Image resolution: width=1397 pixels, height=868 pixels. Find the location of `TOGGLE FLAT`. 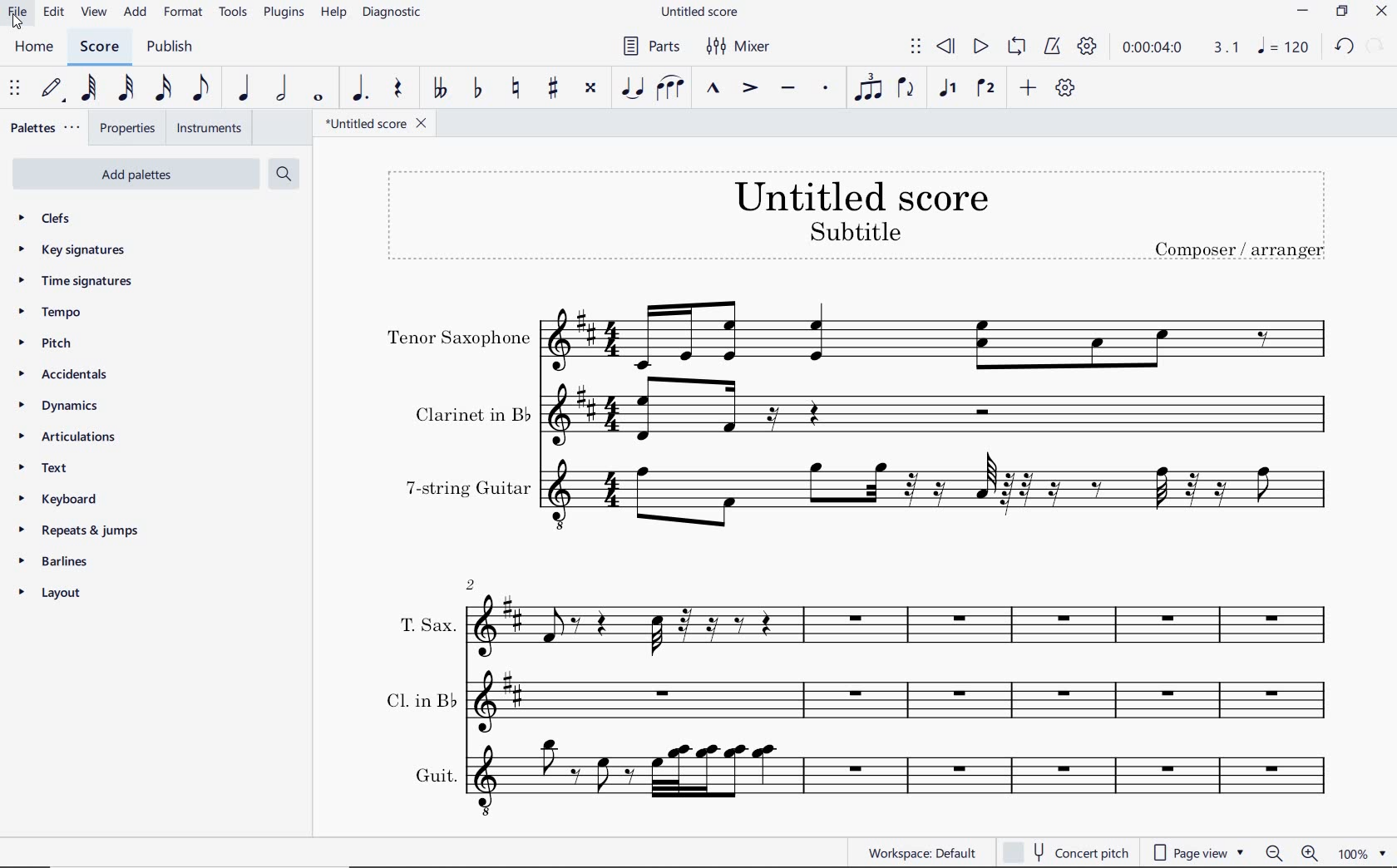

TOGGLE FLAT is located at coordinates (476, 89).